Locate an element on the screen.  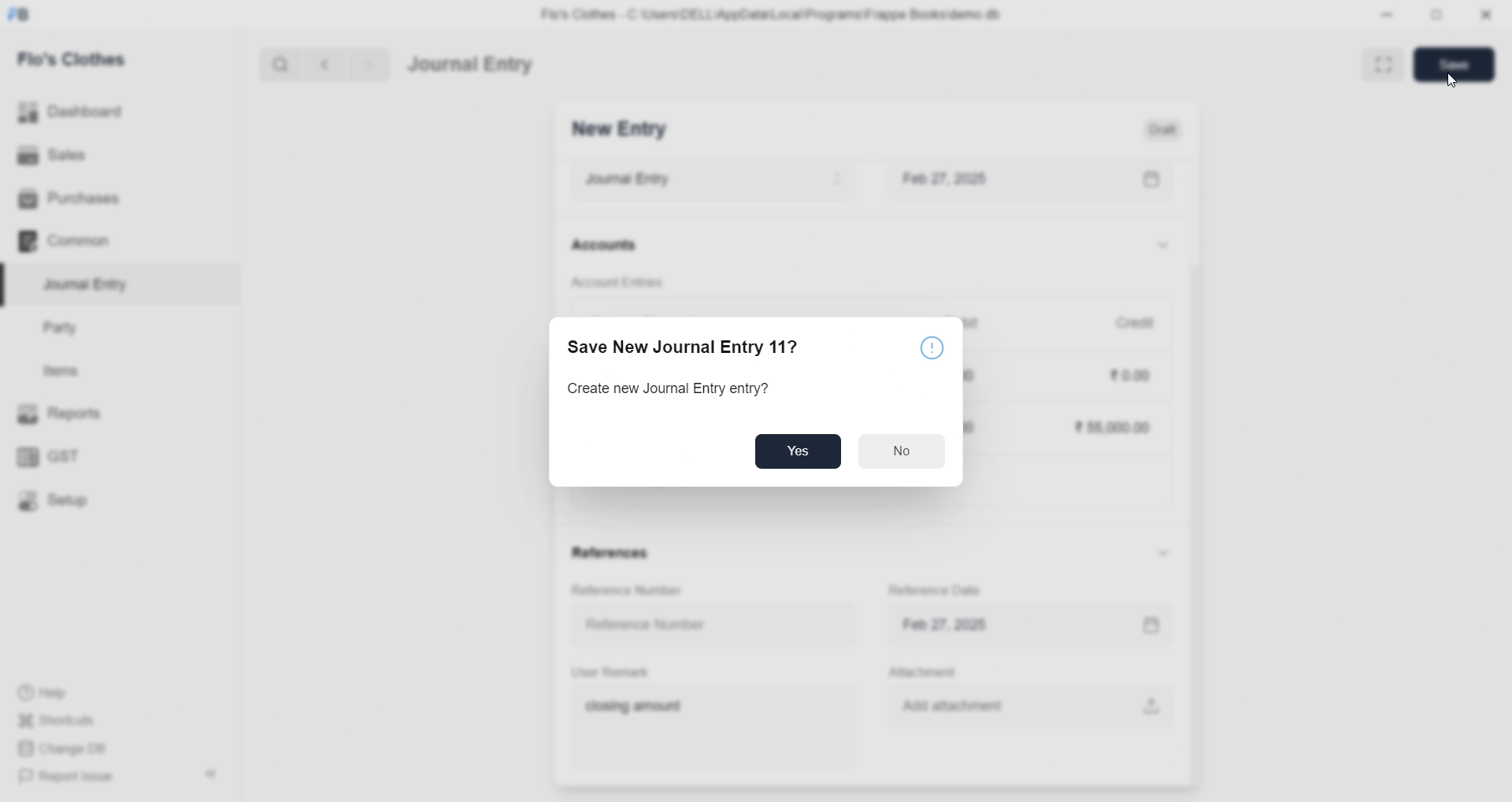
Notice is located at coordinates (934, 350).